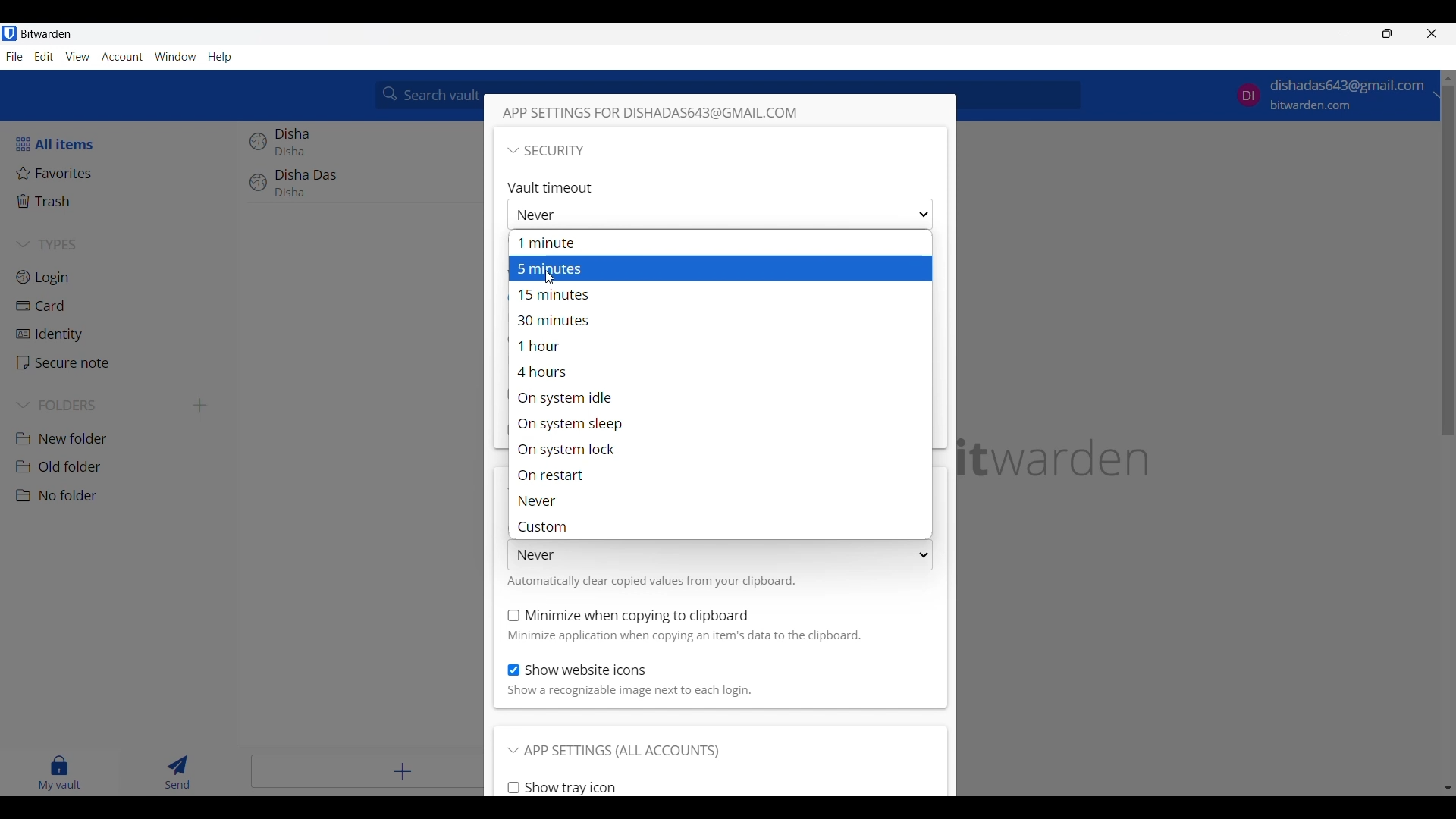 This screenshot has height=819, width=1456. What do you see at coordinates (720, 350) in the screenshot?
I see `1 hour` at bounding box center [720, 350].